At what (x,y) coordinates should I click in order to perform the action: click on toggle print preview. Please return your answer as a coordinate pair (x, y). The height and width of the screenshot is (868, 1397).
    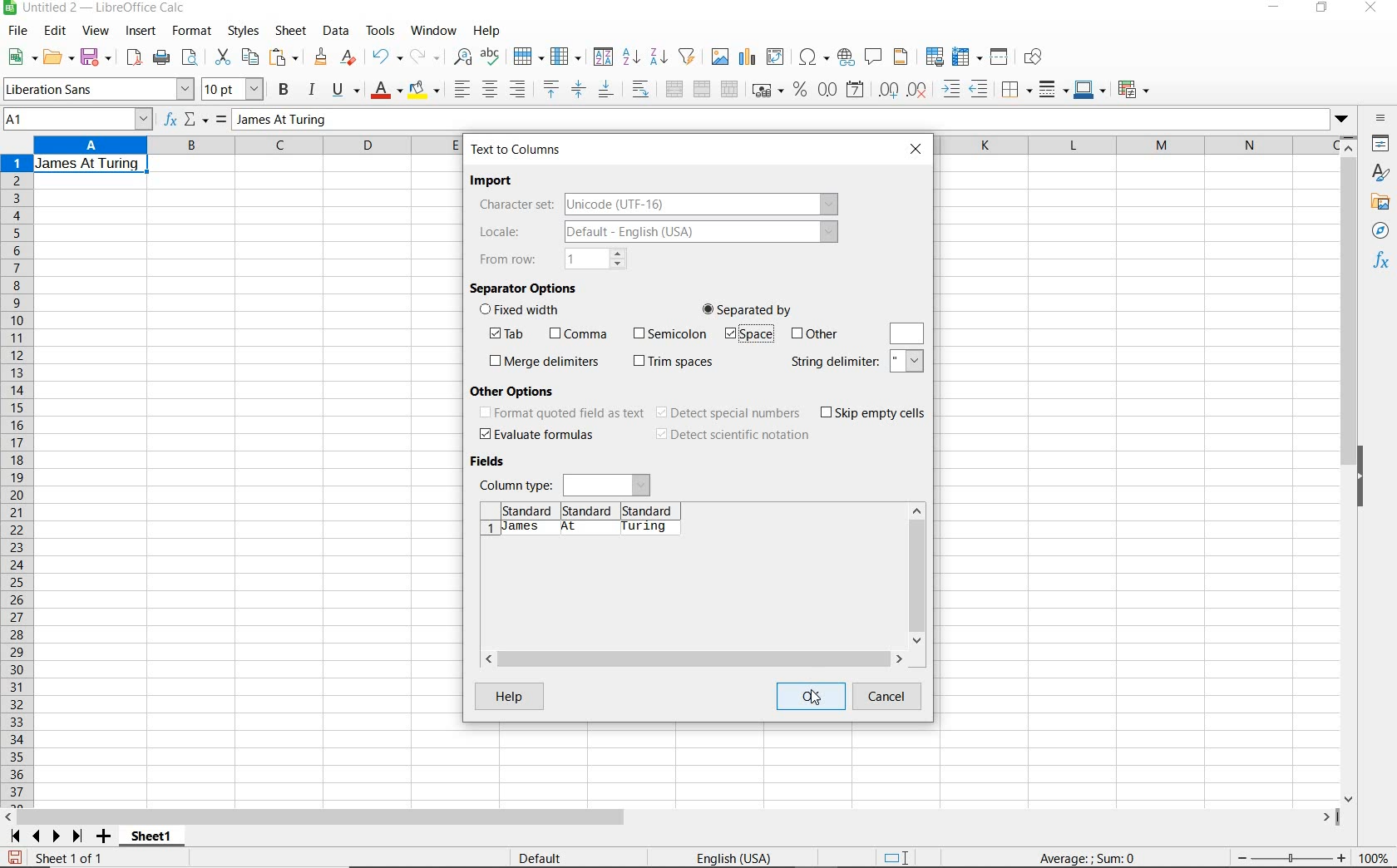
    Looking at the image, I should click on (193, 59).